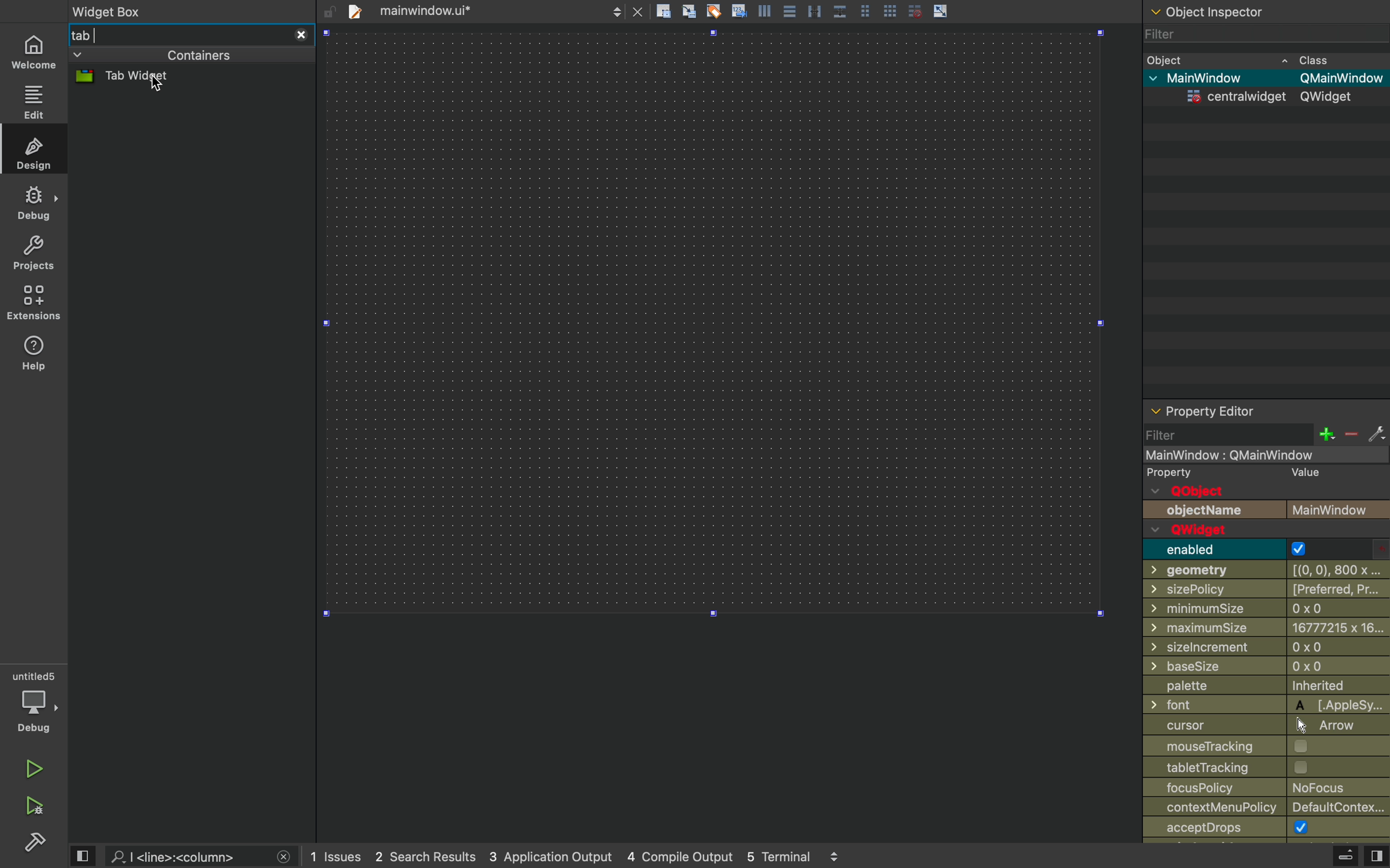 This screenshot has height=868, width=1390. Describe the element at coordinates (940, 10) in the screenshot. I see `scale object` at that location.